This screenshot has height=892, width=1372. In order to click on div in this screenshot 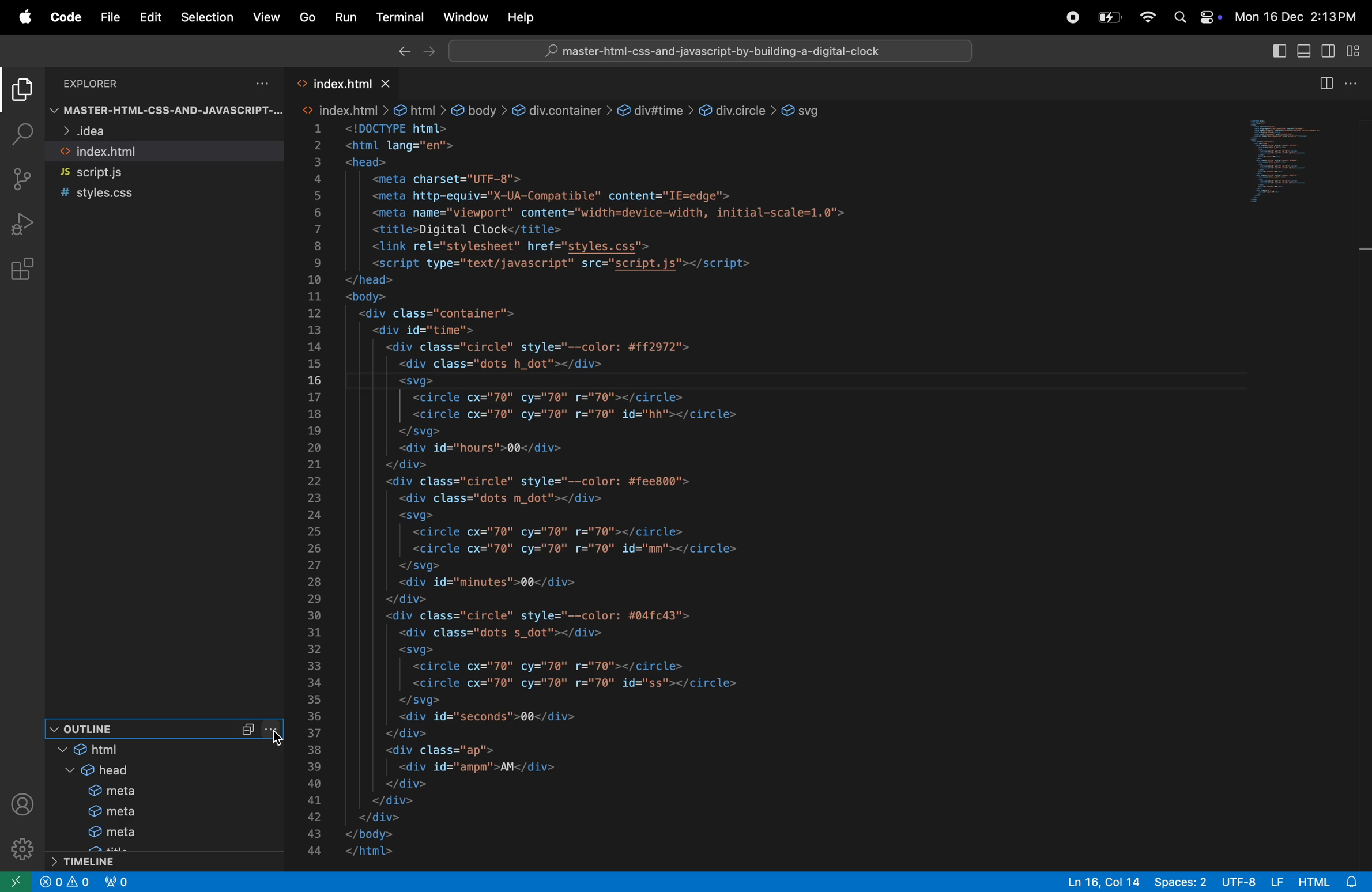, I will do `click(655, 111)`.